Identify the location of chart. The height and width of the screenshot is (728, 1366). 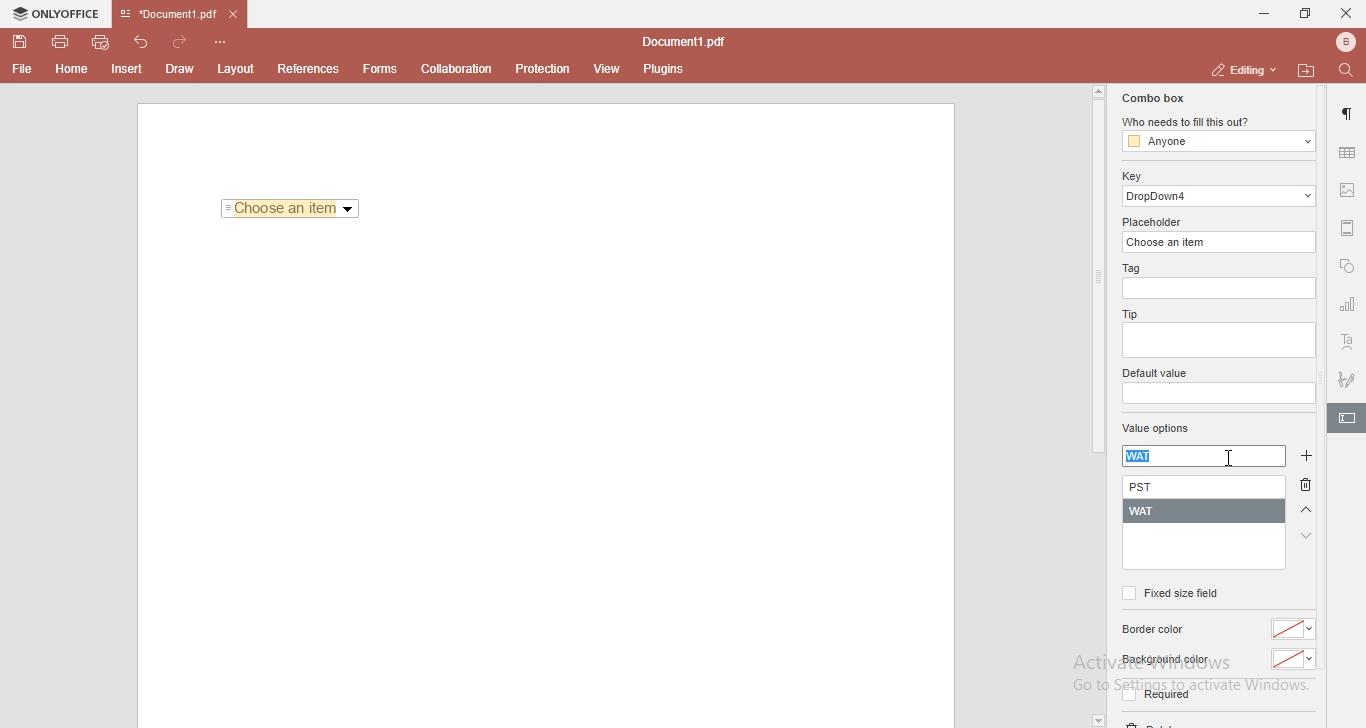
(1348, 308).